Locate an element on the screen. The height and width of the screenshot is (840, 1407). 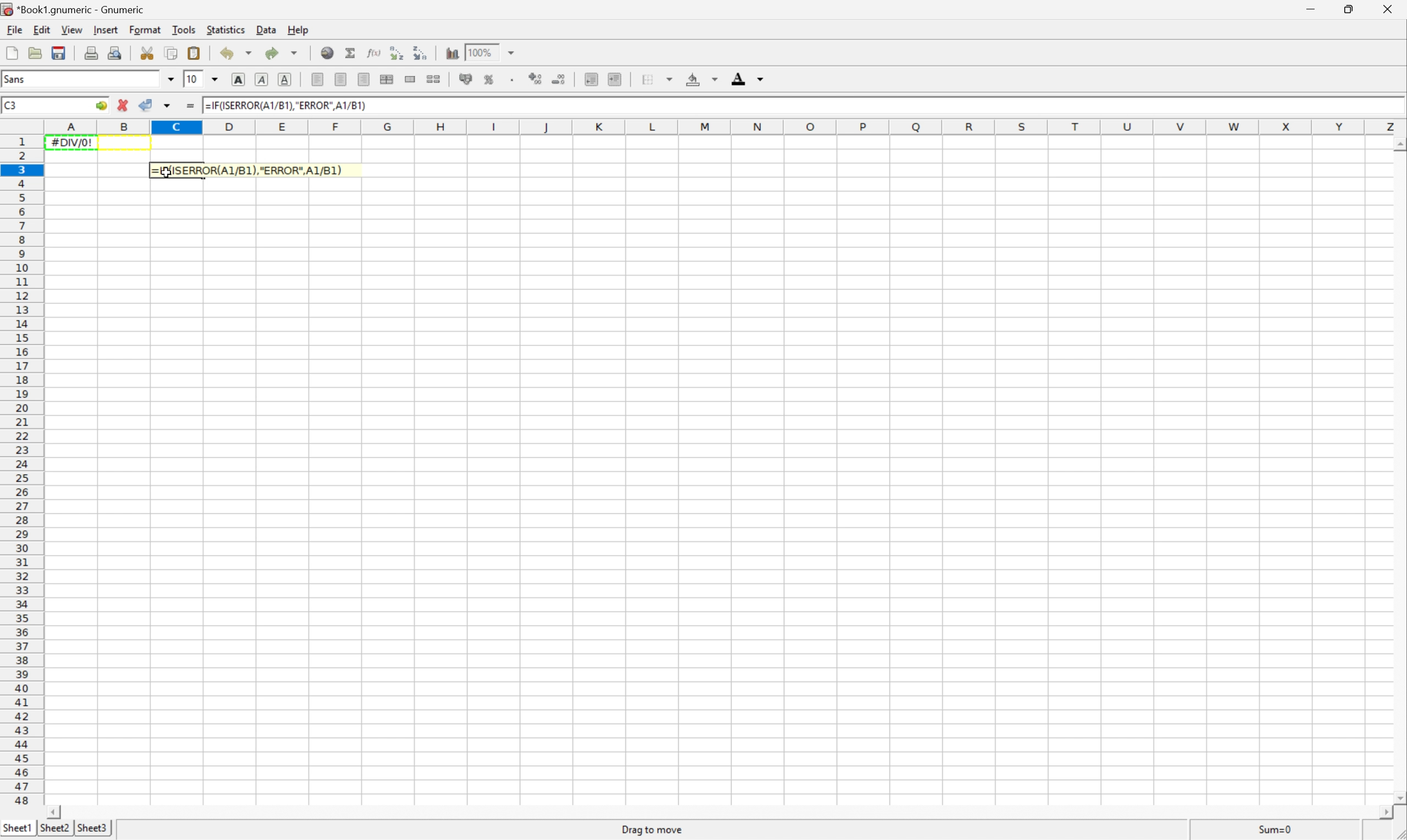
 Go to... is located at coordinates (101, 105).